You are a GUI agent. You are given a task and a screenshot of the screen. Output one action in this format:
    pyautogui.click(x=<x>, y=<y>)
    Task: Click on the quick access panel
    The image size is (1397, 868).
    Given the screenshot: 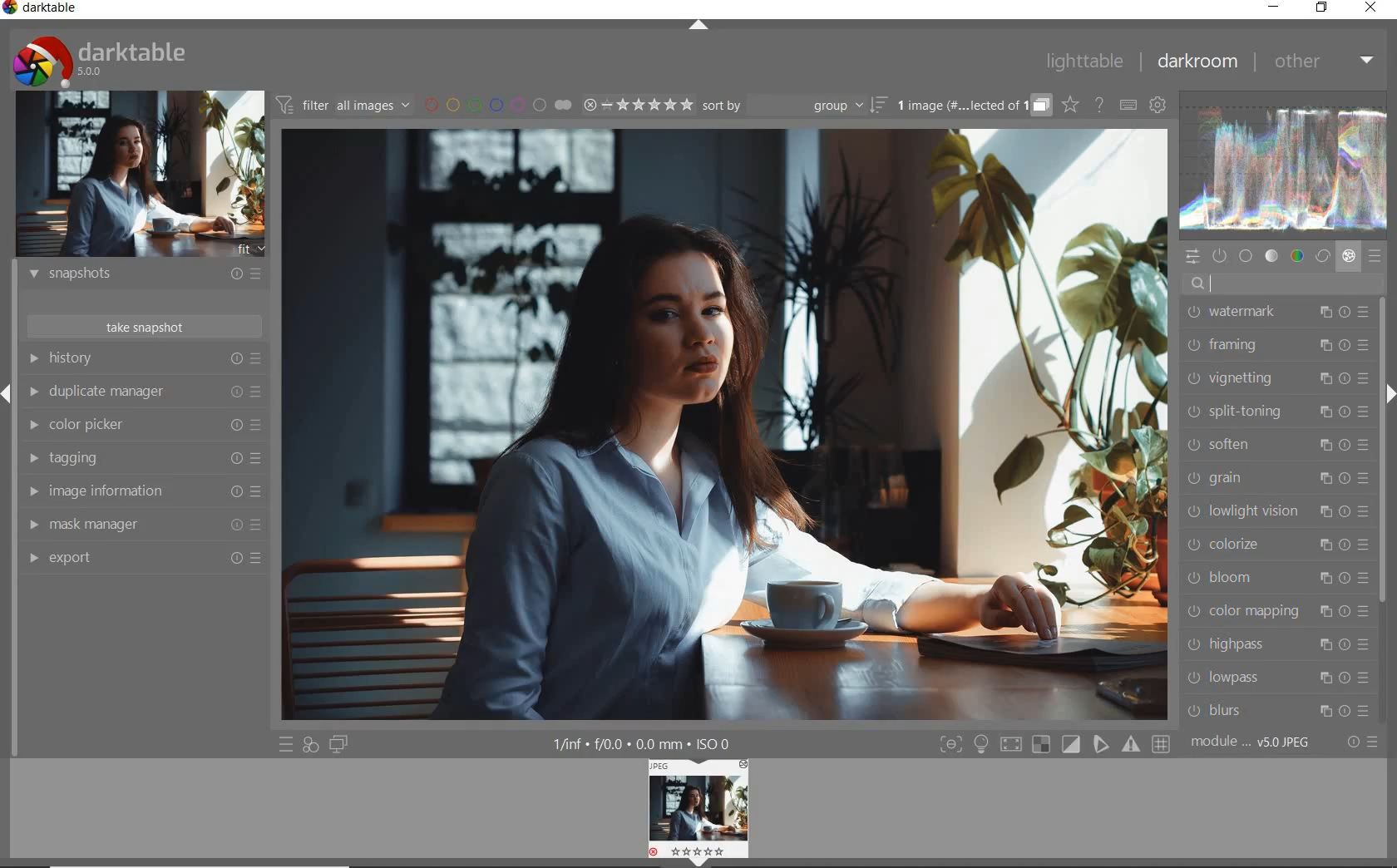 What is the action you would take?
    pyautogui.click(x=1192, y=257)
    